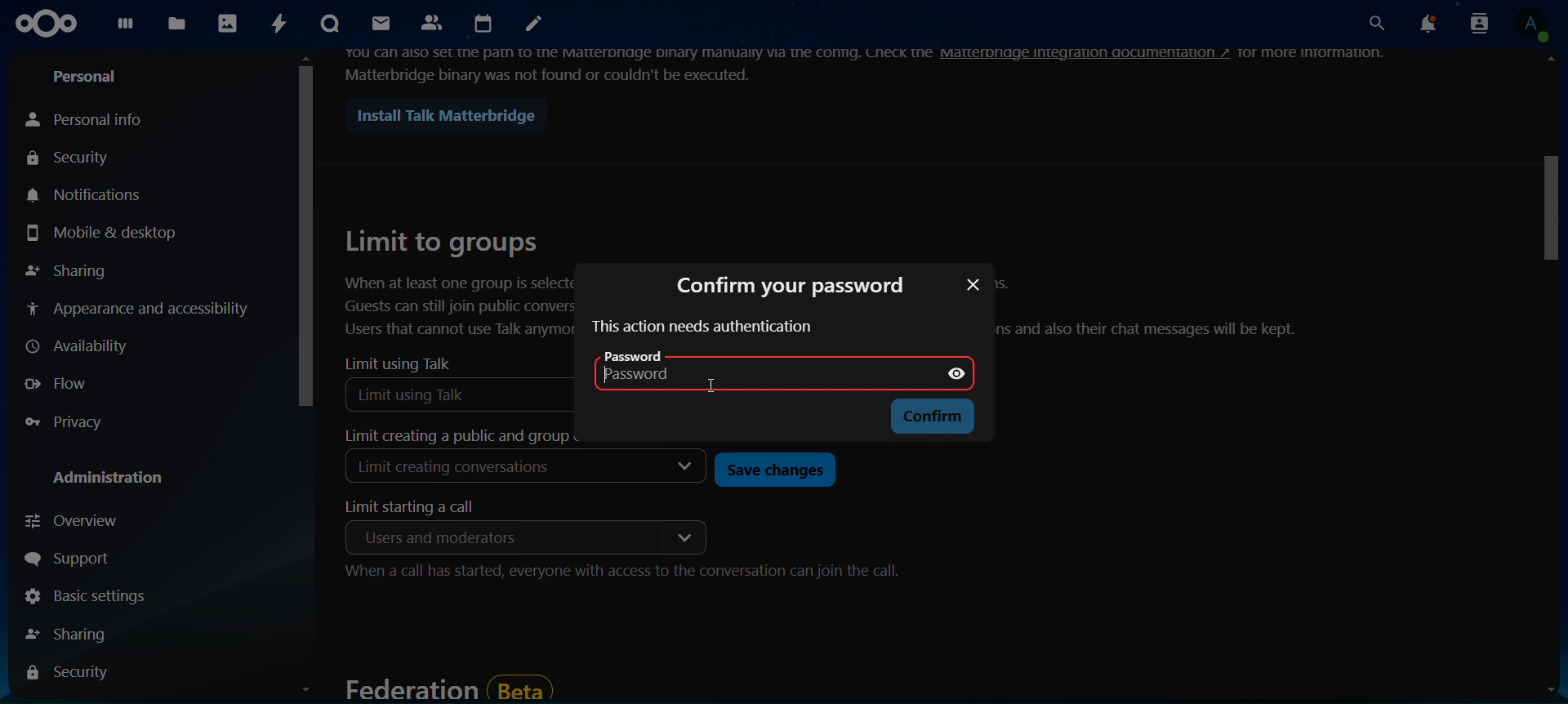 The height and width of the screenshot is (704, 1568). Describe the element at coordinates (229, 25) in the screenshot. I see `photos` at that location.